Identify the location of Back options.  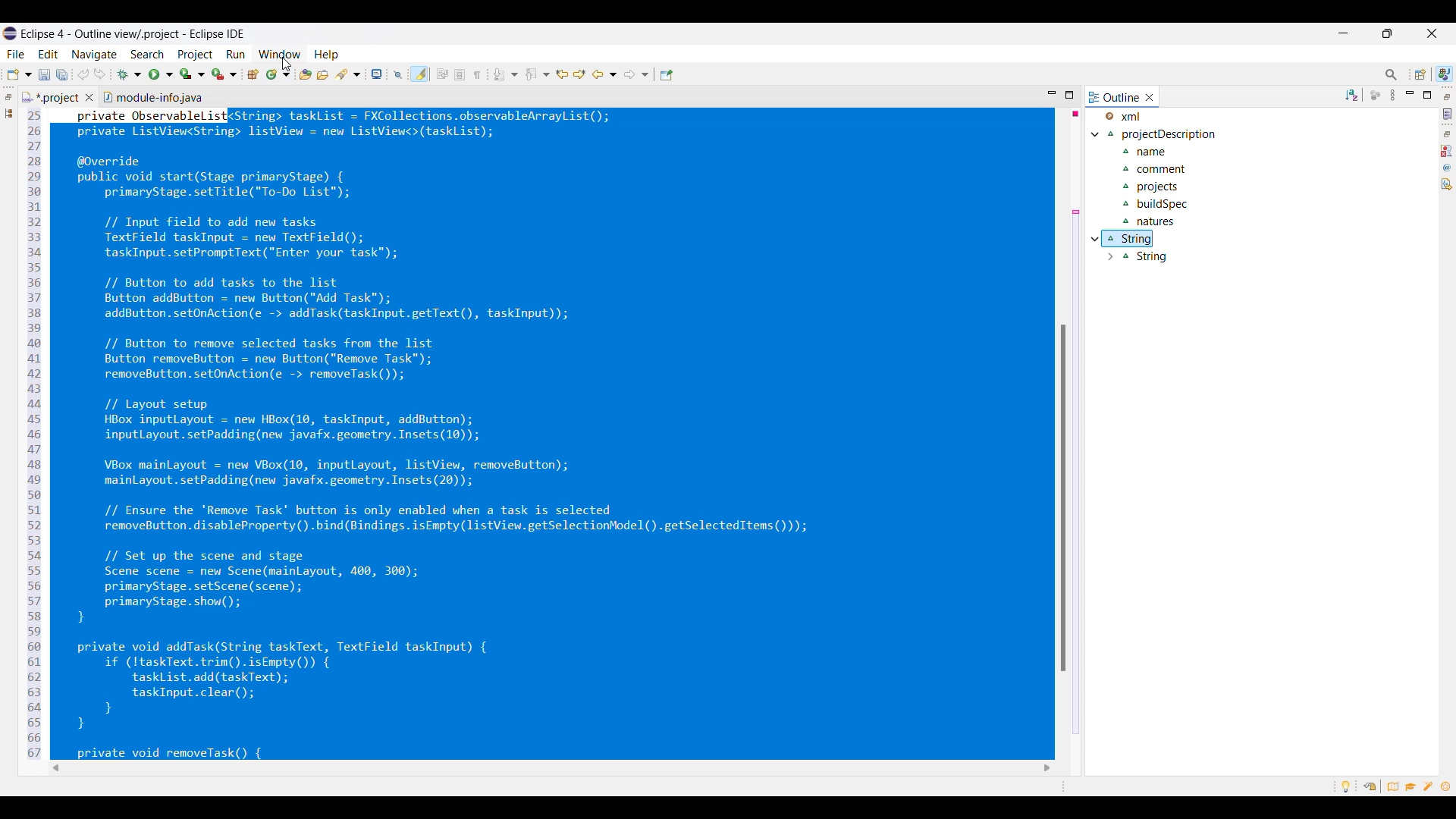
(604, 74).